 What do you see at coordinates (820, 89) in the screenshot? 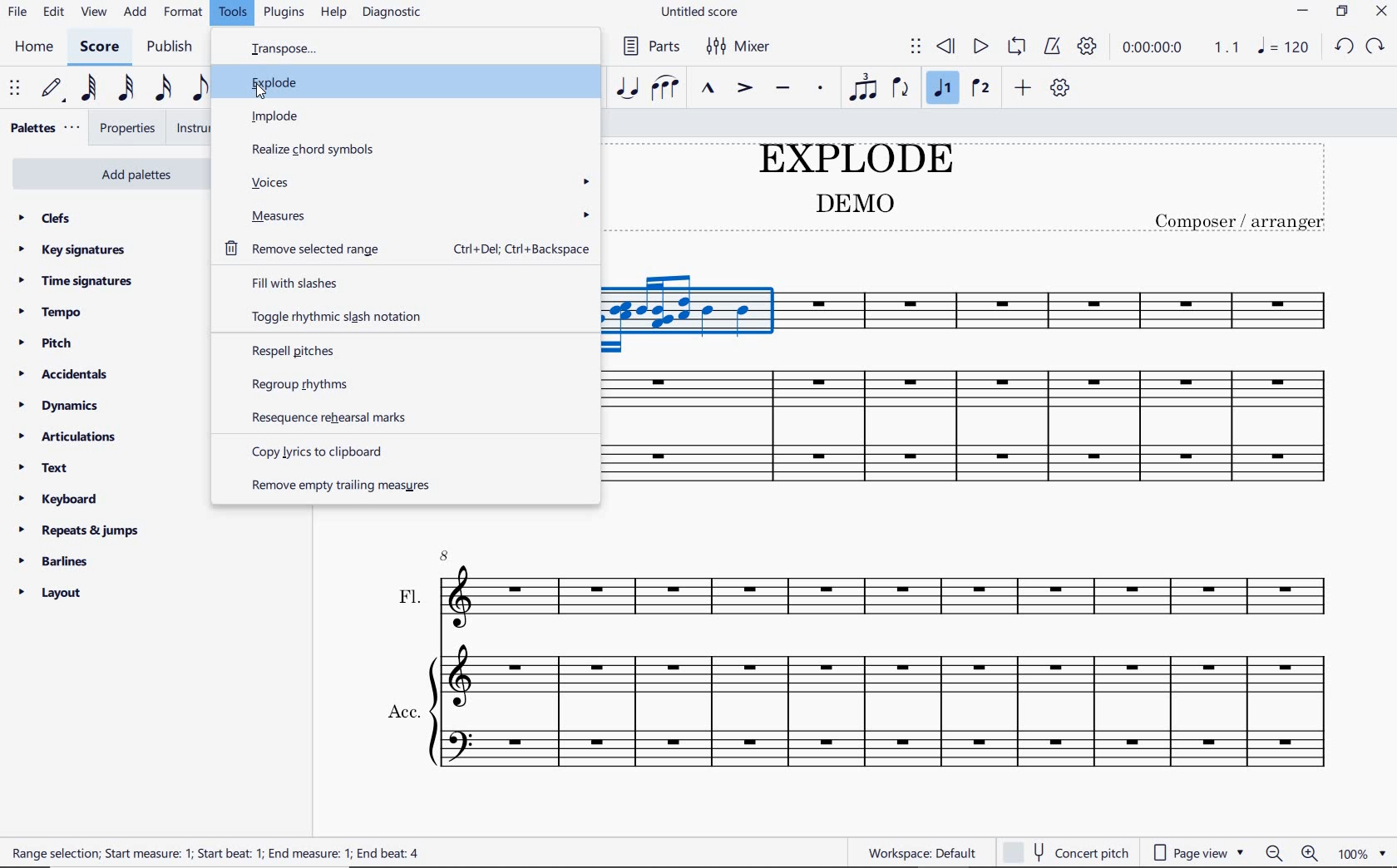
I see `staccato` at bounding box center [820, 89].